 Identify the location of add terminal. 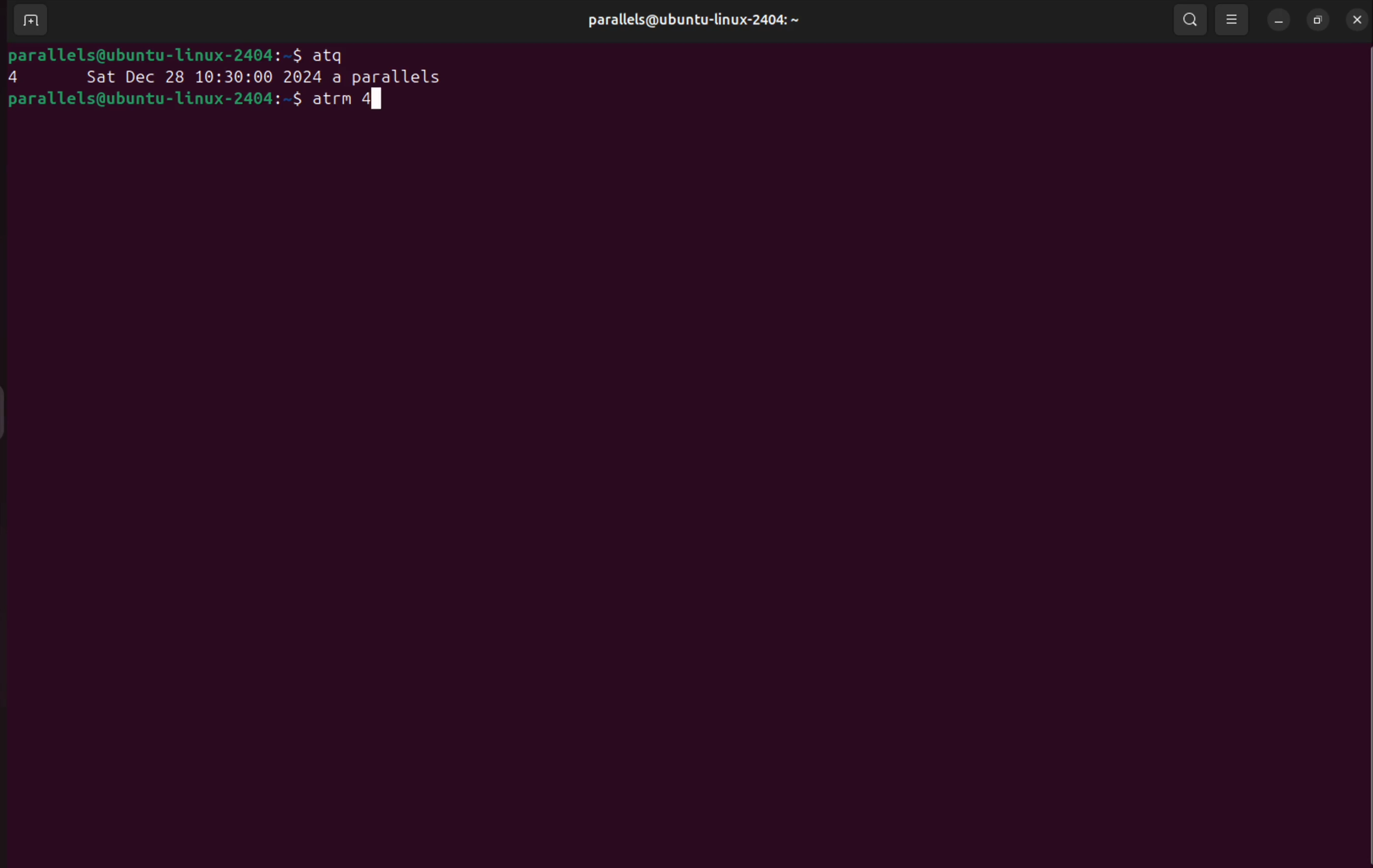
(30, 22).